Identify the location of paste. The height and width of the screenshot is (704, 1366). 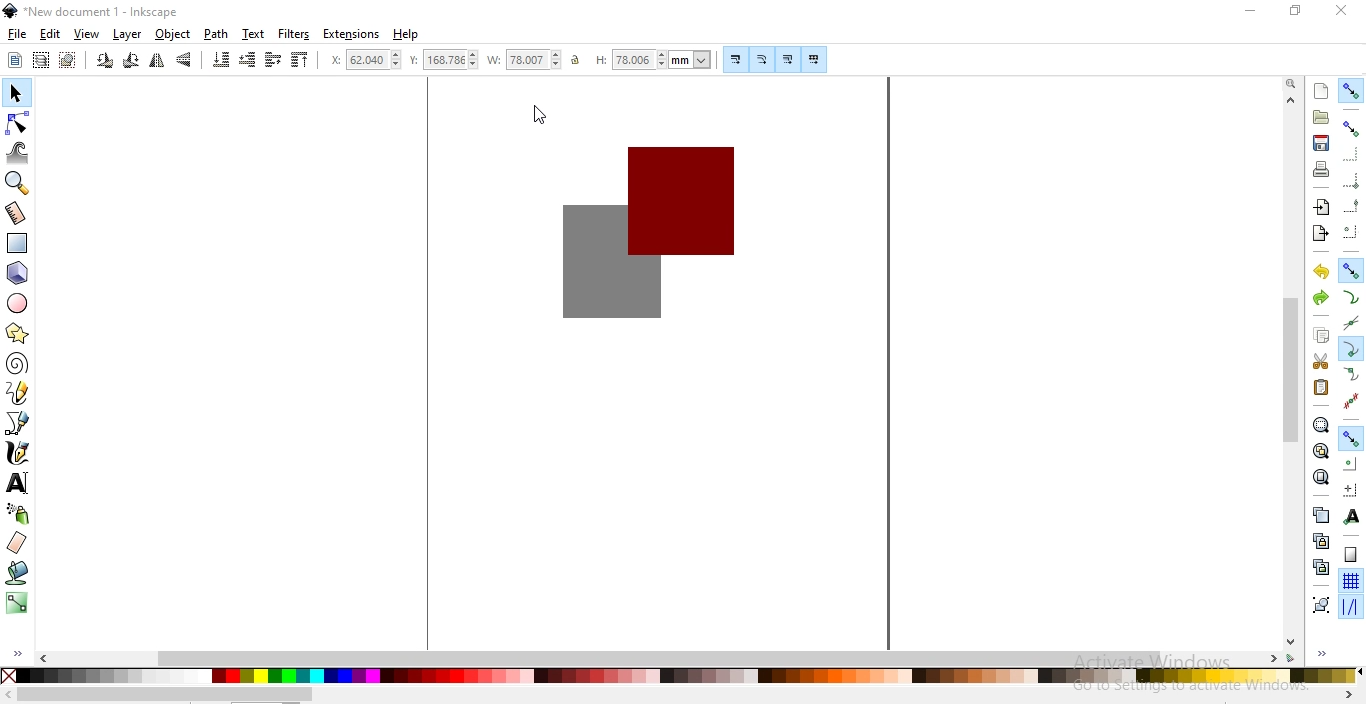
(1320, 387).